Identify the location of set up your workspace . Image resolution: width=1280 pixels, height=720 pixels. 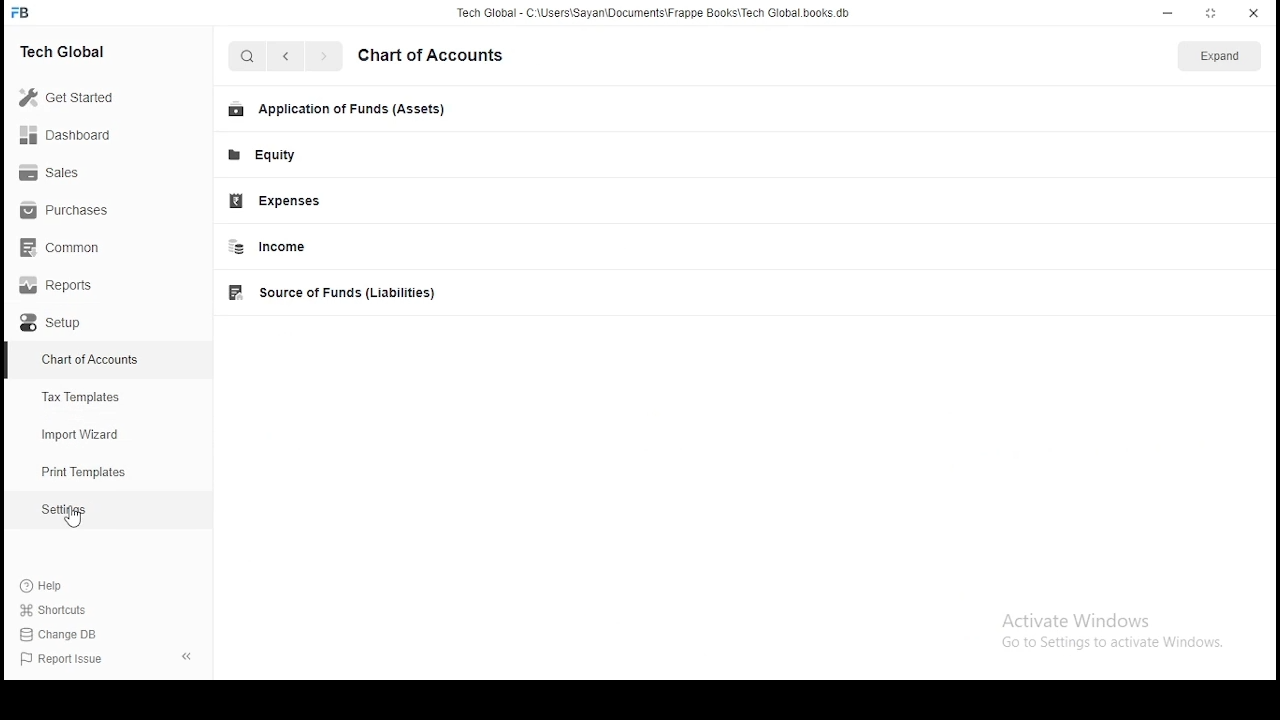
(470, 56).